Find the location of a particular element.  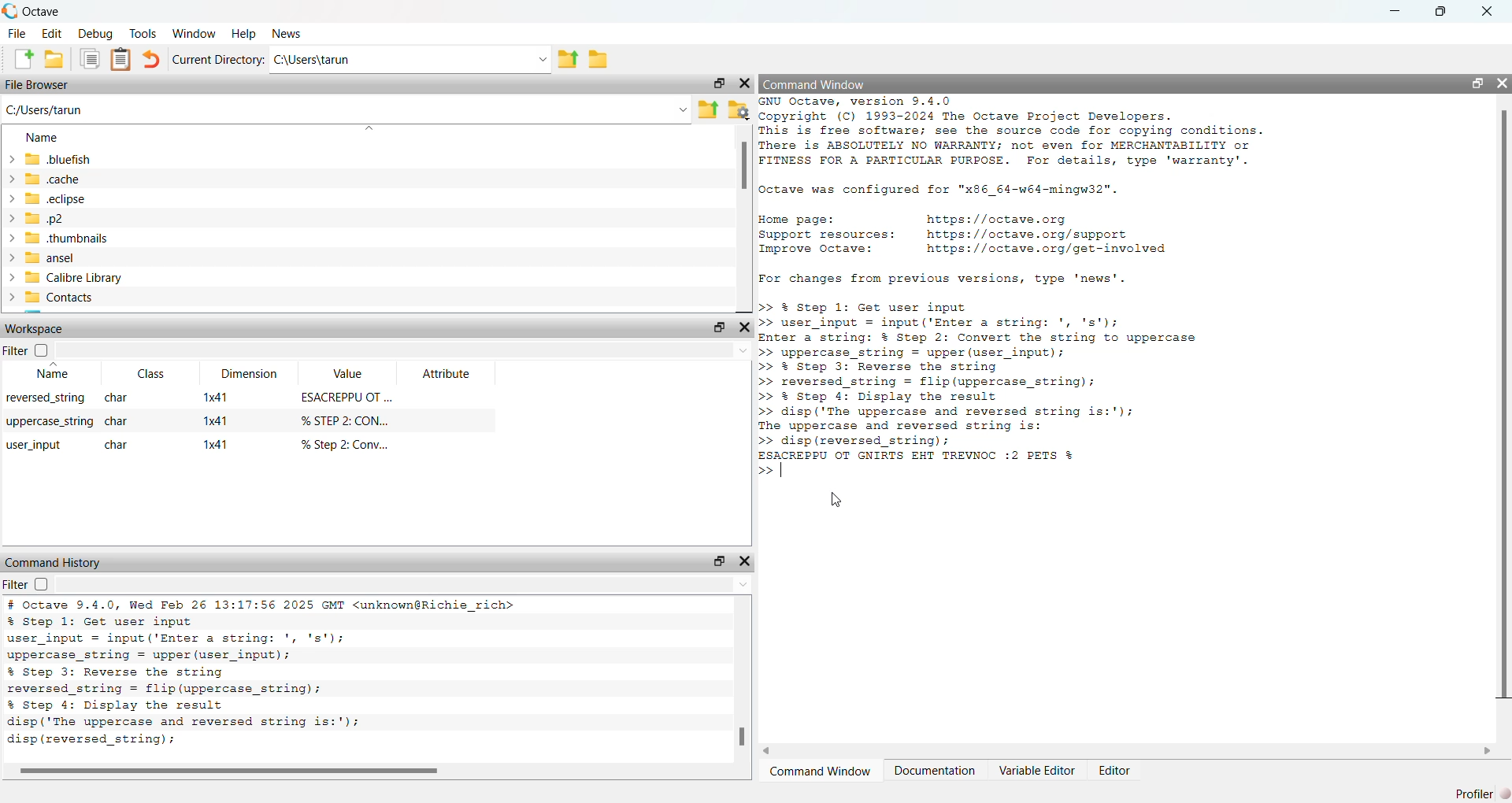

user_input is located at coordinates (35, 445).